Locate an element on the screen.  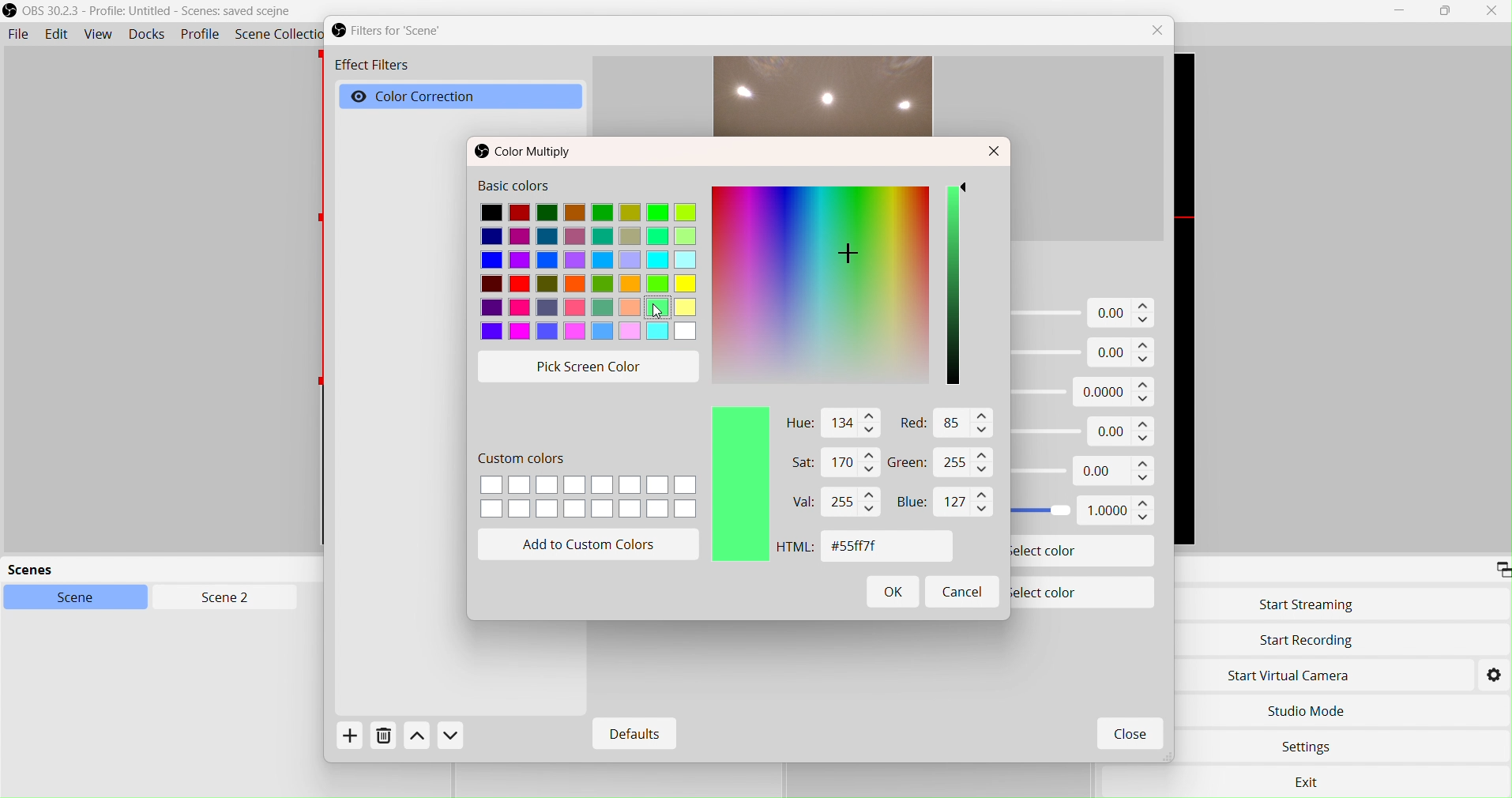
Scen2 is located at coordinates (222, 599).